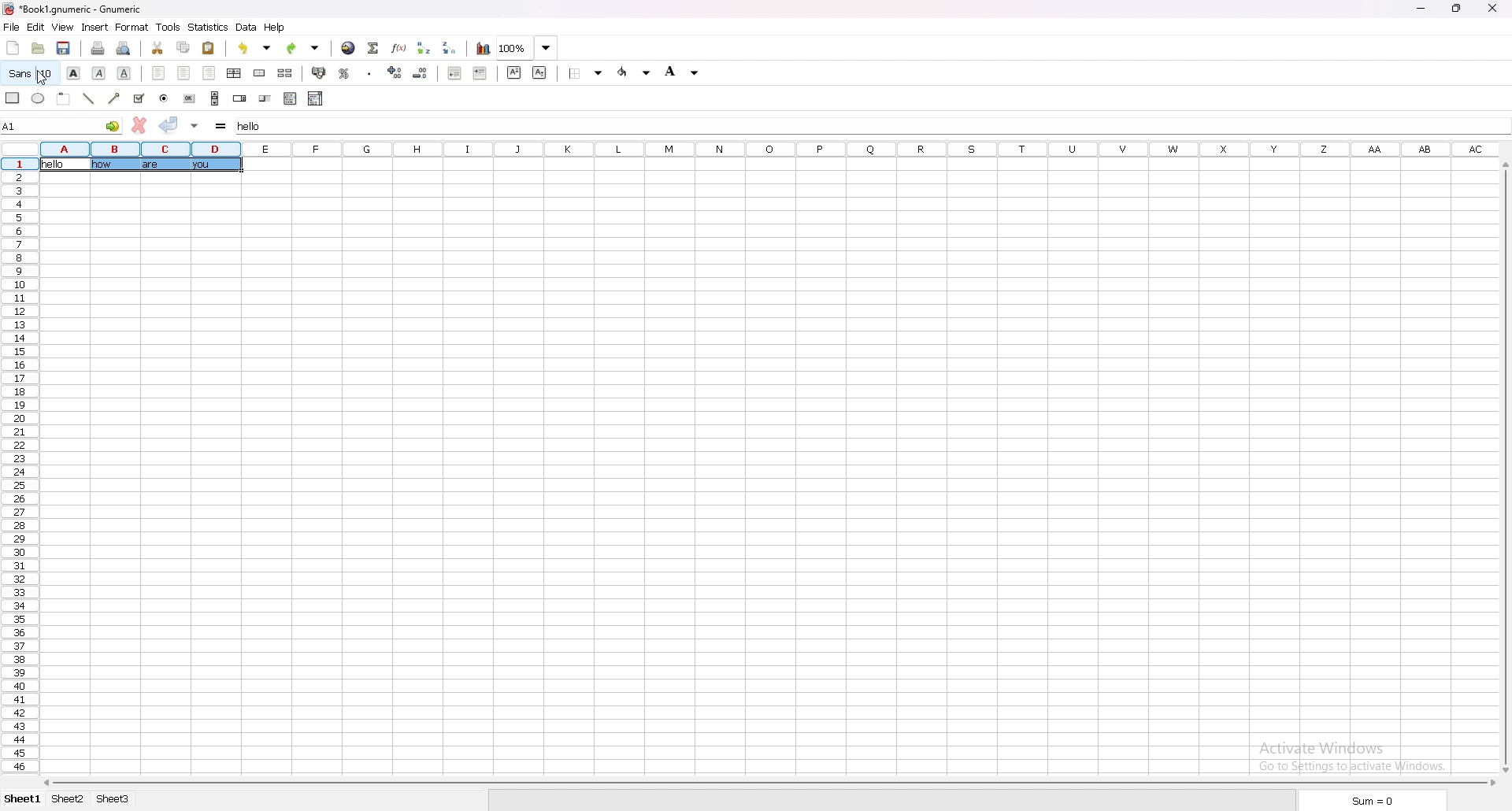 Image resolution: width=1512 pixels, height=811 pixels. Describe the element at coordinates (484, 48) in the screenshot. I see `chart` at that location.